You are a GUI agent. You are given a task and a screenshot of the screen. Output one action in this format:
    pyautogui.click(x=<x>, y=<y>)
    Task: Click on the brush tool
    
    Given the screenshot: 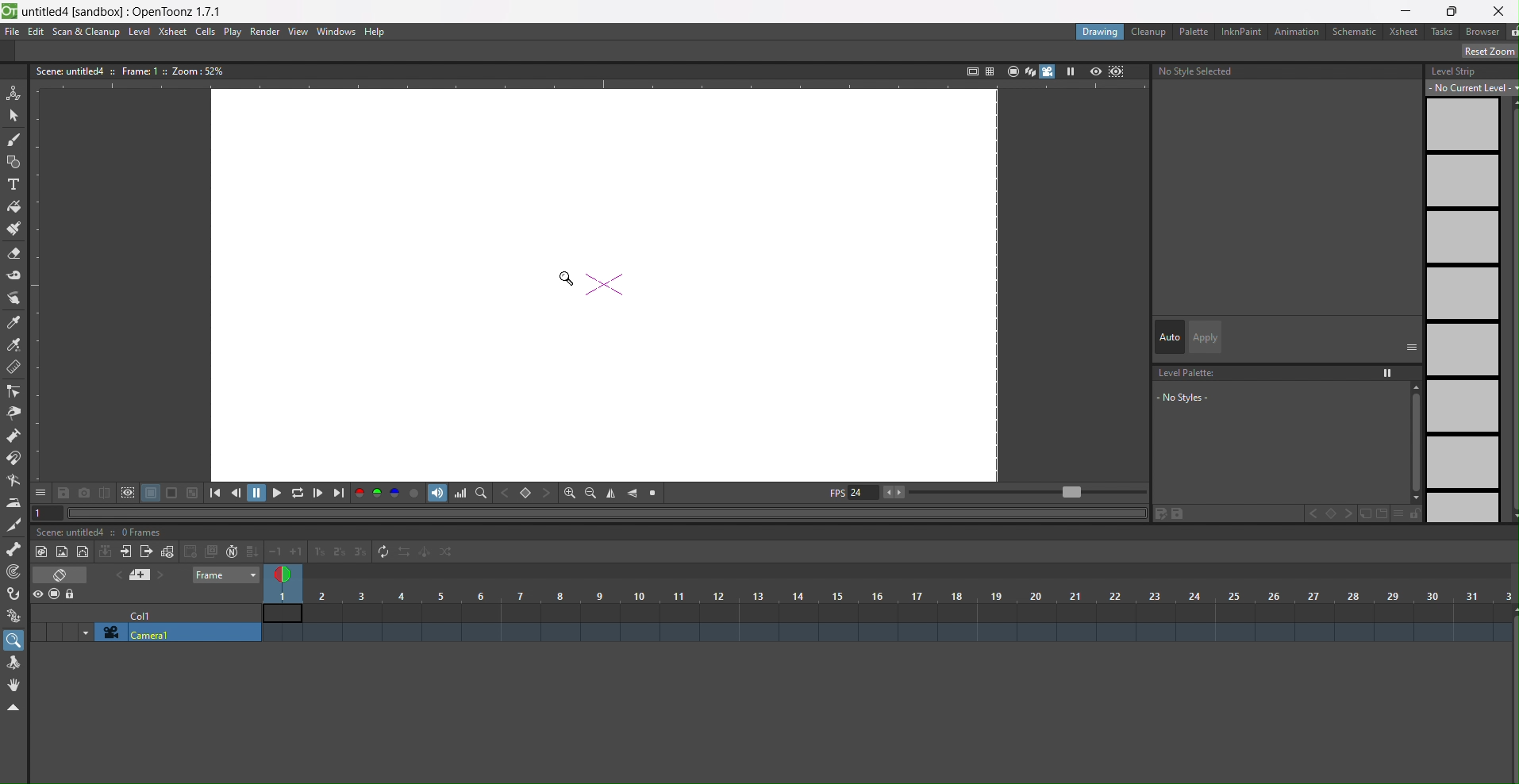 What is the action you would take?
    pyautogui.click(x=15, y=140)
    